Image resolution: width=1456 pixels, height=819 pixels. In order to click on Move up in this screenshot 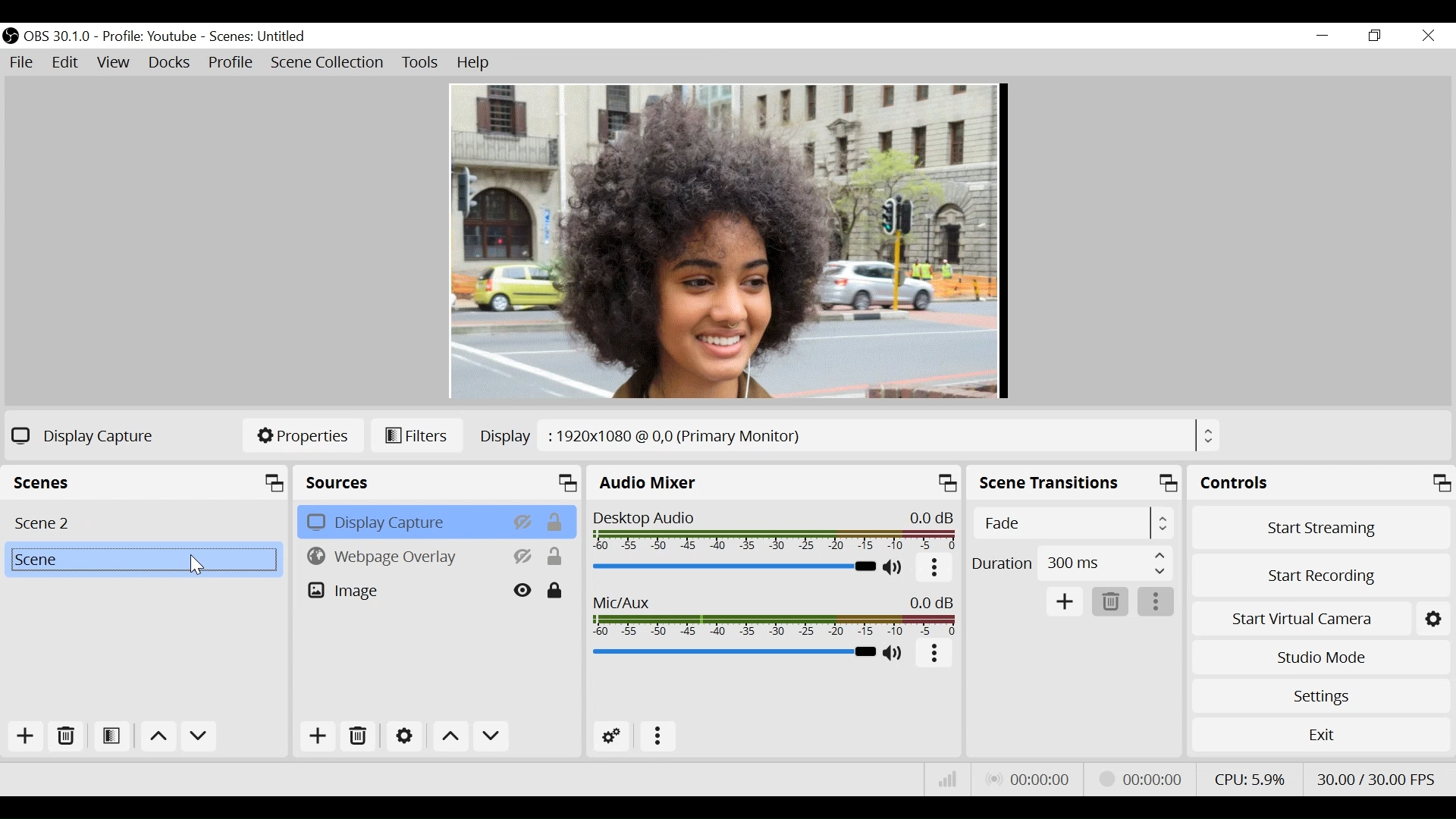, I will do `click(450, 736)`.